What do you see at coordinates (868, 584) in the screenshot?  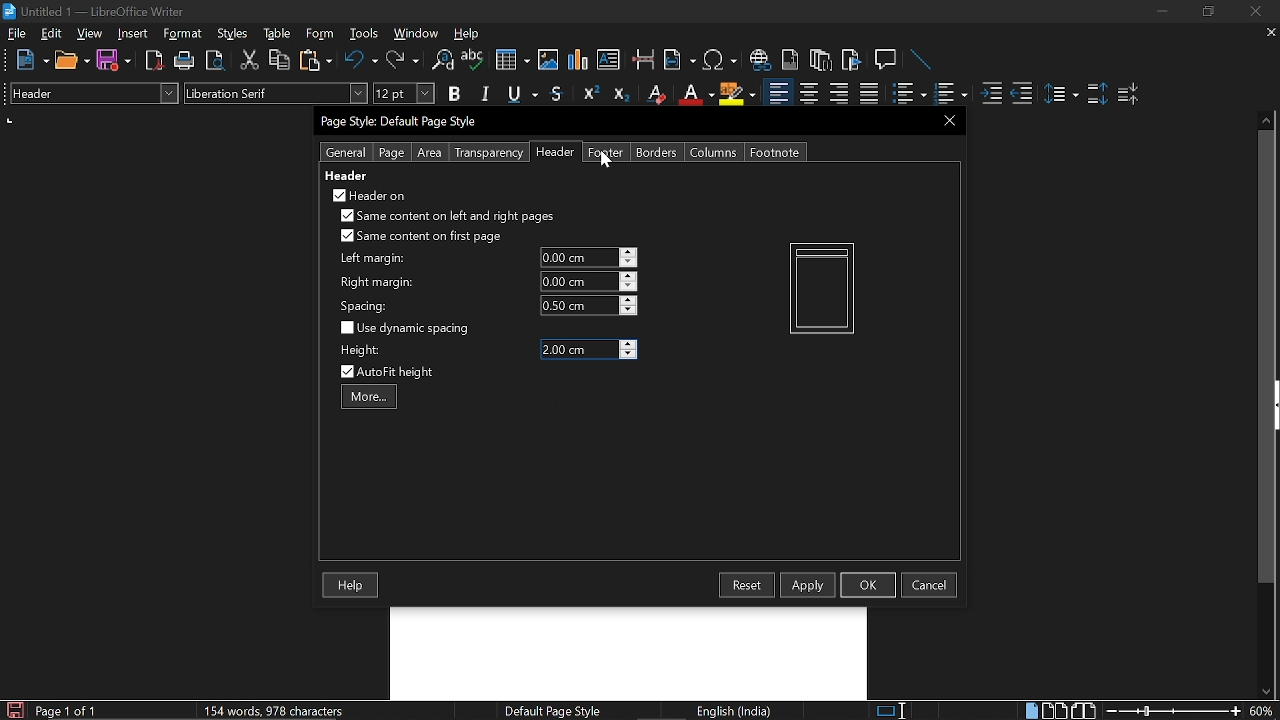 I see `Ok` at bounding box center [868, 584].